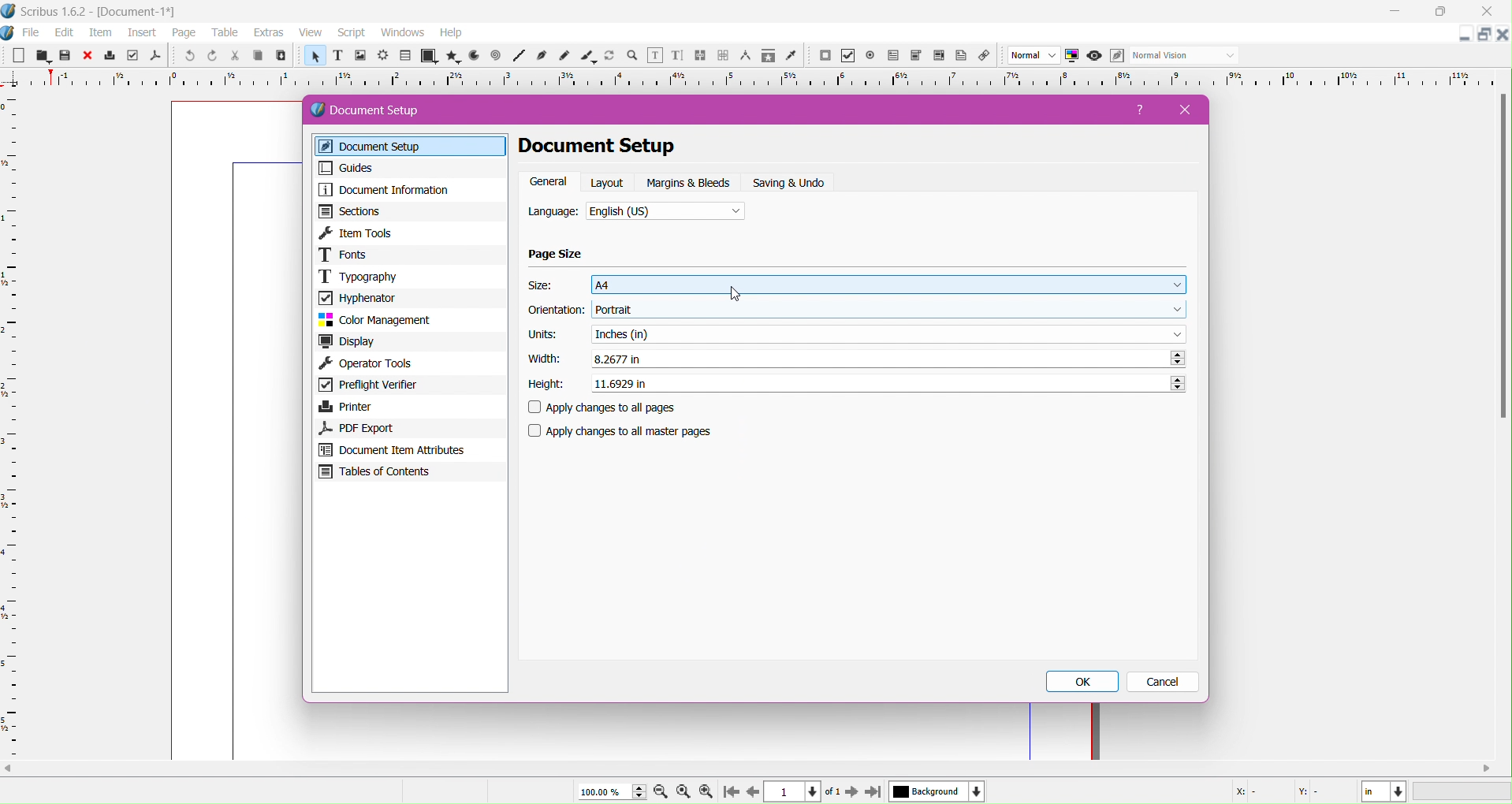  I want to click on Set the Orientation, so click(892, 310).